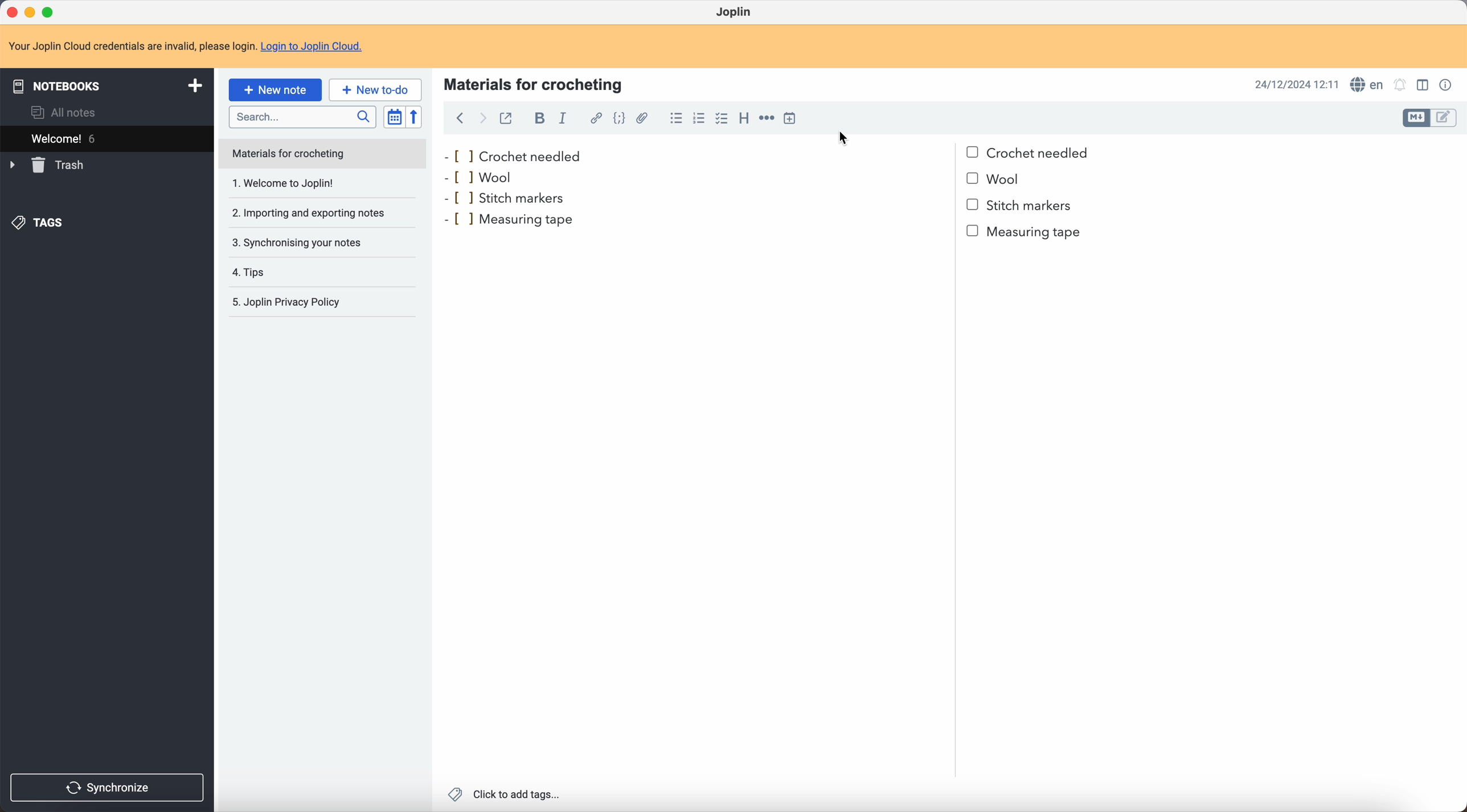 This screenshot has height=812, width=1467. I want to click on 1. Welcome to Joplin!, so click(315, 184).